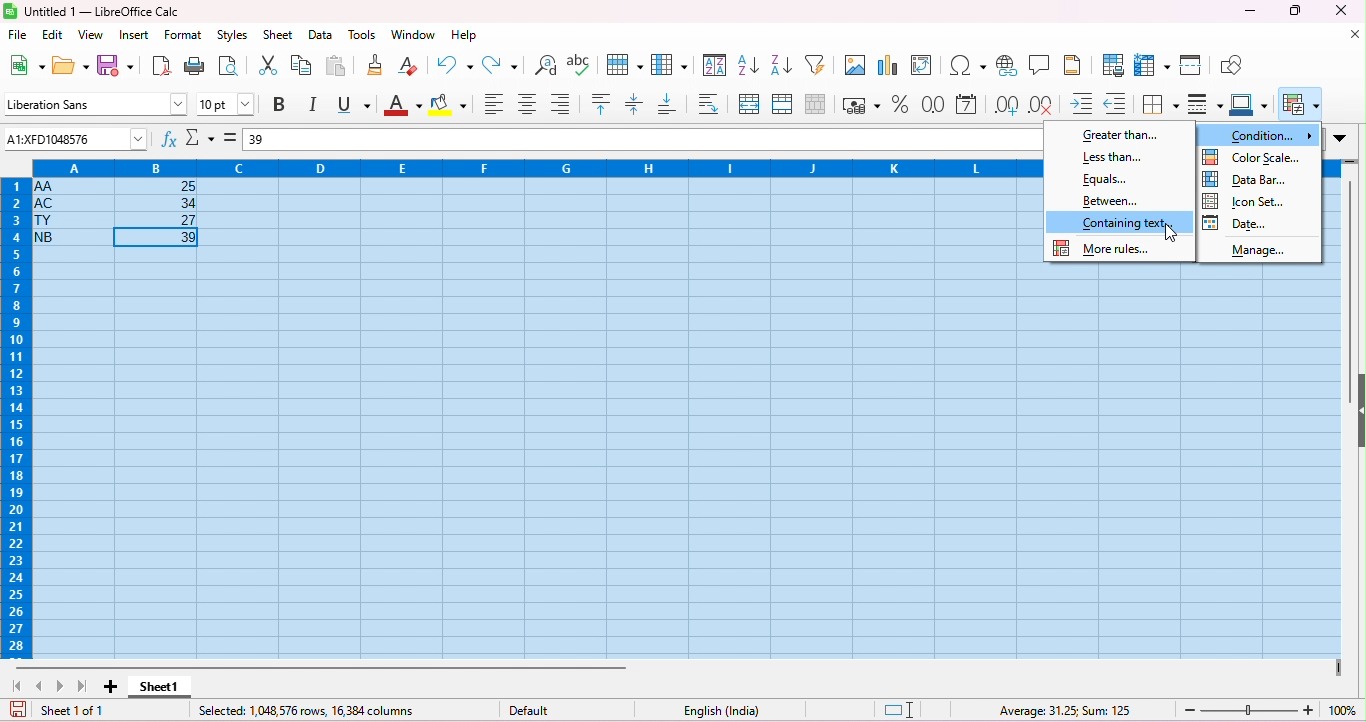 Image resolution: width=1366 pixels, height=722 pixels. Describe the element at coordinates (171, 140) in the screenshot. I see `function wizard` at that location.